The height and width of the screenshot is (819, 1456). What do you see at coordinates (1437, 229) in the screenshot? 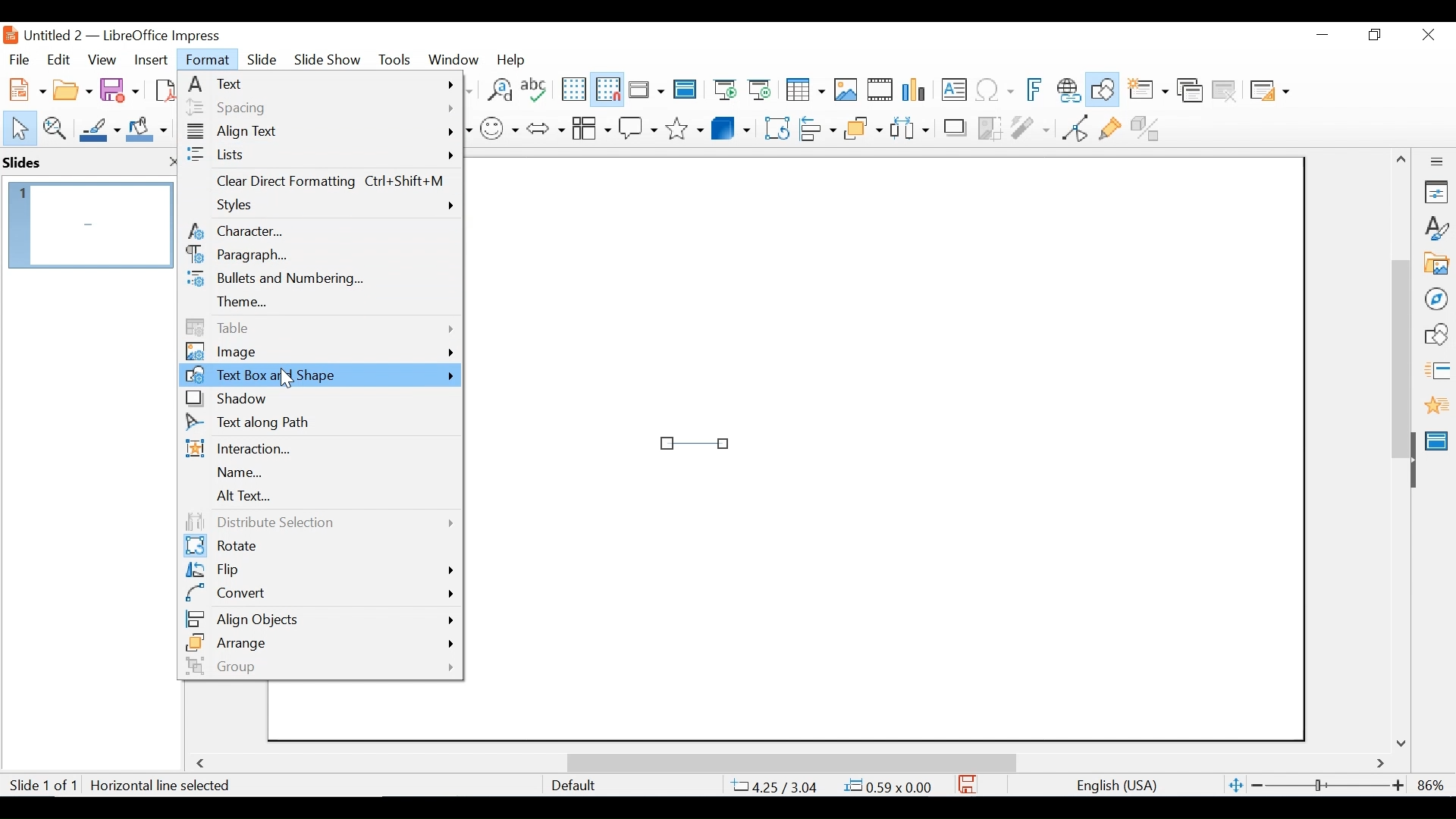
I see `Styles` at bounding box center [1437, 229].